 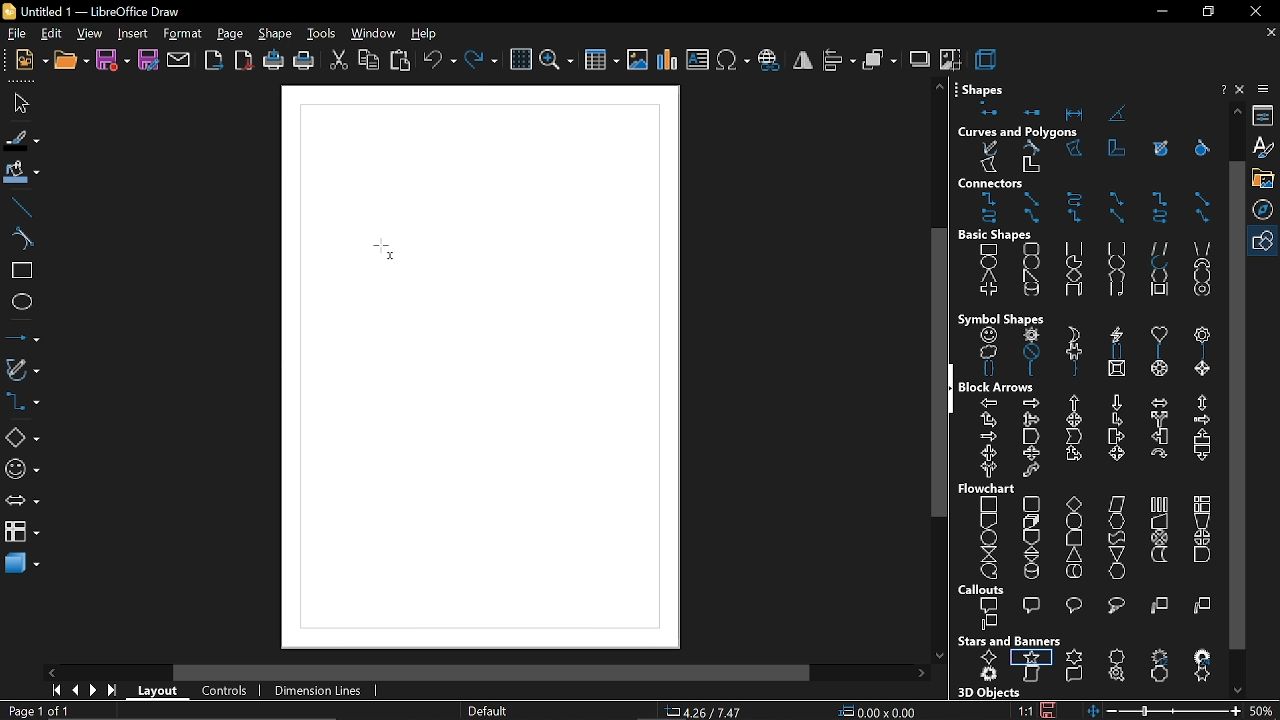 I want to click on connectors, so click(x=1088, y=210).